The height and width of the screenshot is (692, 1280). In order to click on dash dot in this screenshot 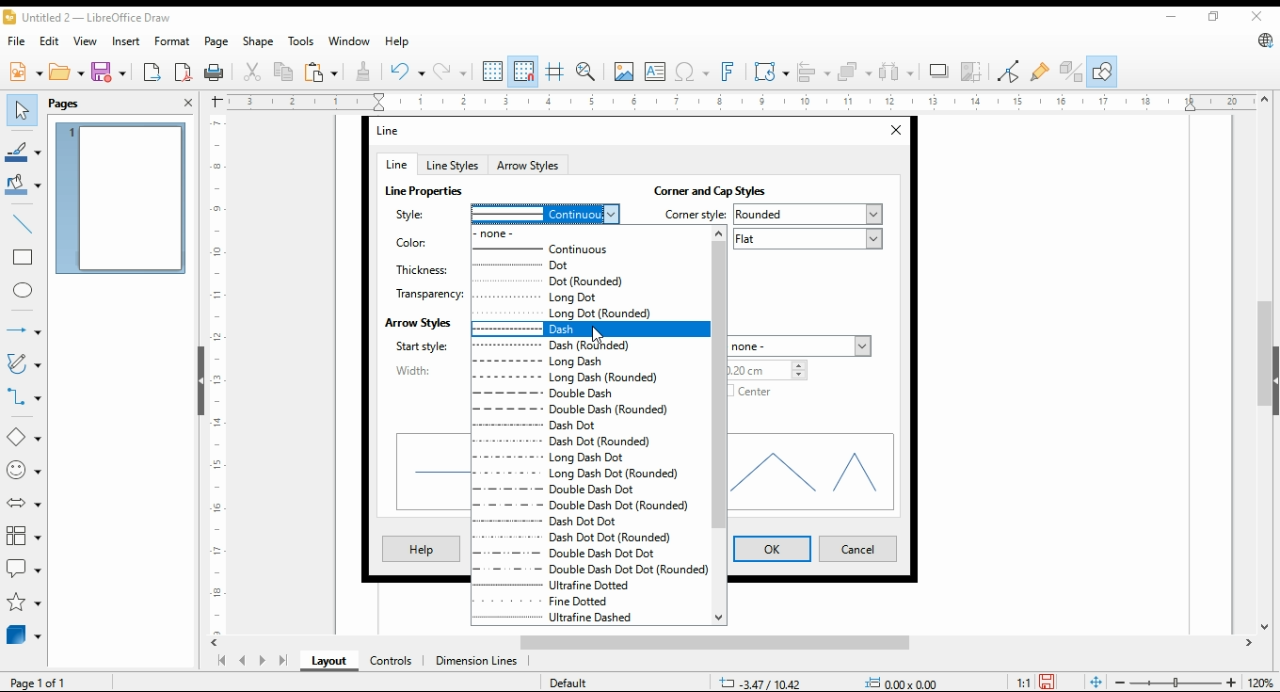, I will do `click(572, 426)`.